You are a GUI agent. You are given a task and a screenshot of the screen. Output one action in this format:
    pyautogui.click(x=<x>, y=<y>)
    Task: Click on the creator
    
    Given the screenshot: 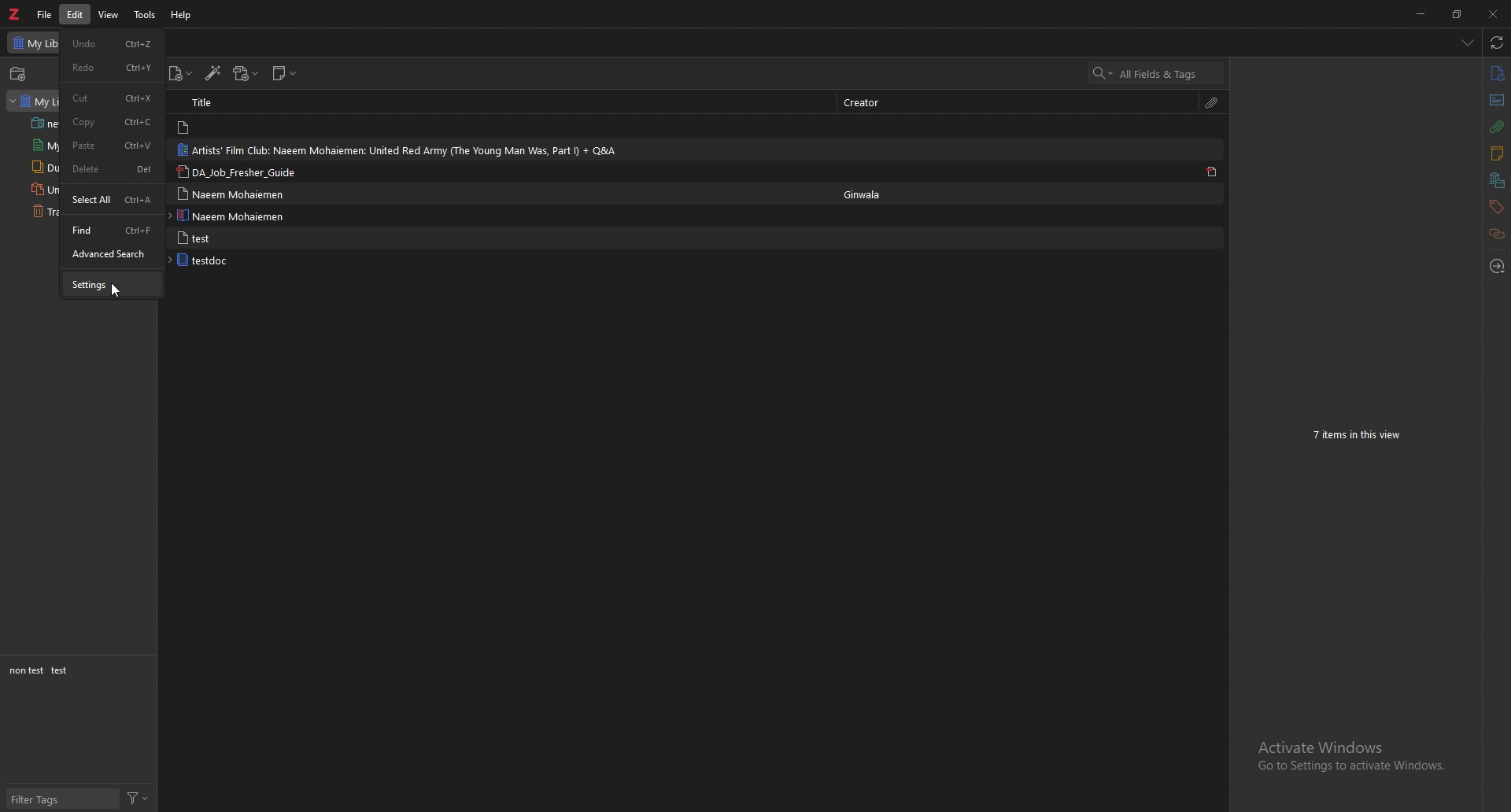 What is the action you would take?
    pyautogui.click(x=871, y=101)
    